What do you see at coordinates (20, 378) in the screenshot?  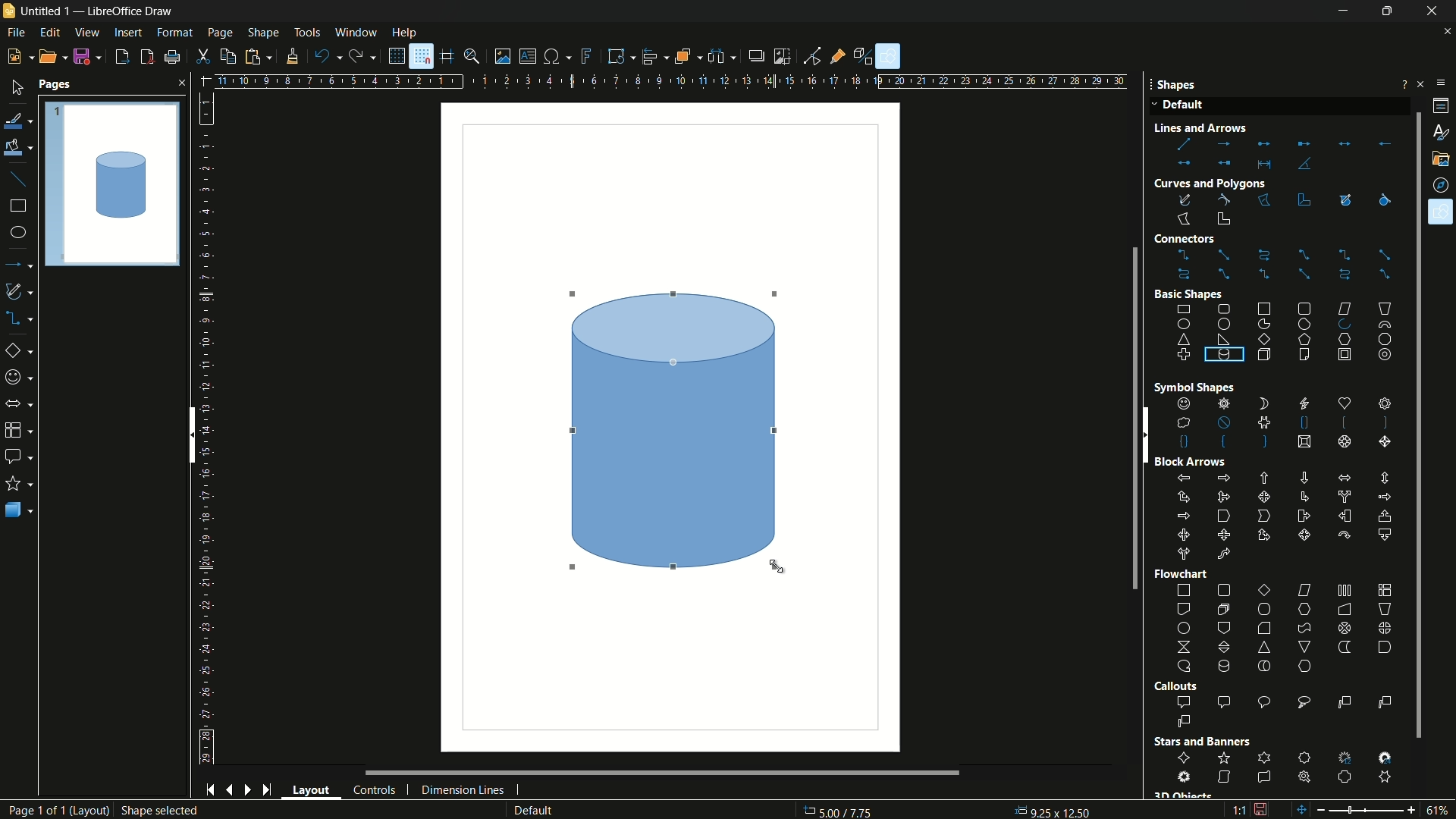 I see `symbol shapes` at bounding box center [20, 378].